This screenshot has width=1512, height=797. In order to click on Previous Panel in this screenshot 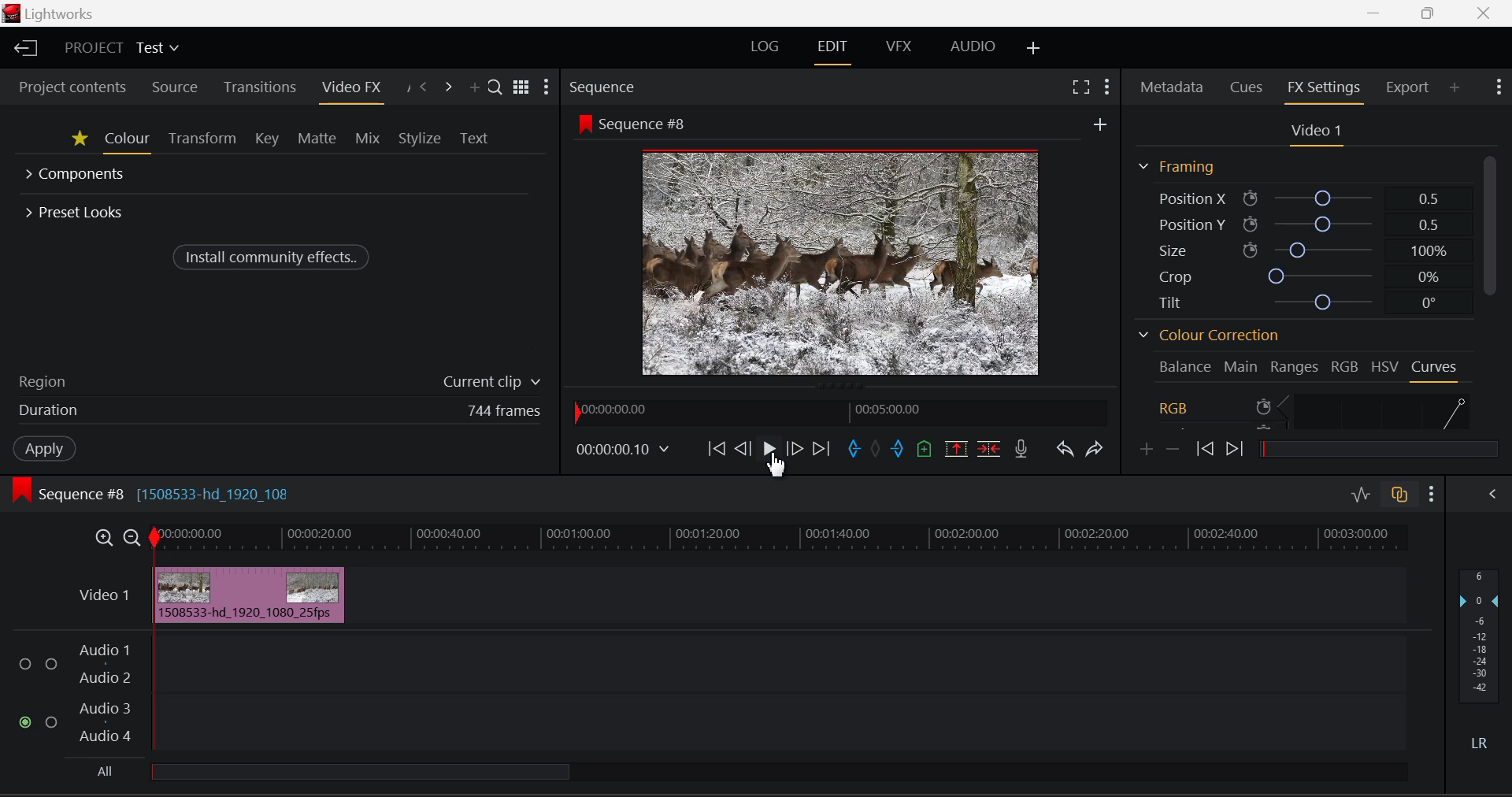, I will do `click(424, 86)`.